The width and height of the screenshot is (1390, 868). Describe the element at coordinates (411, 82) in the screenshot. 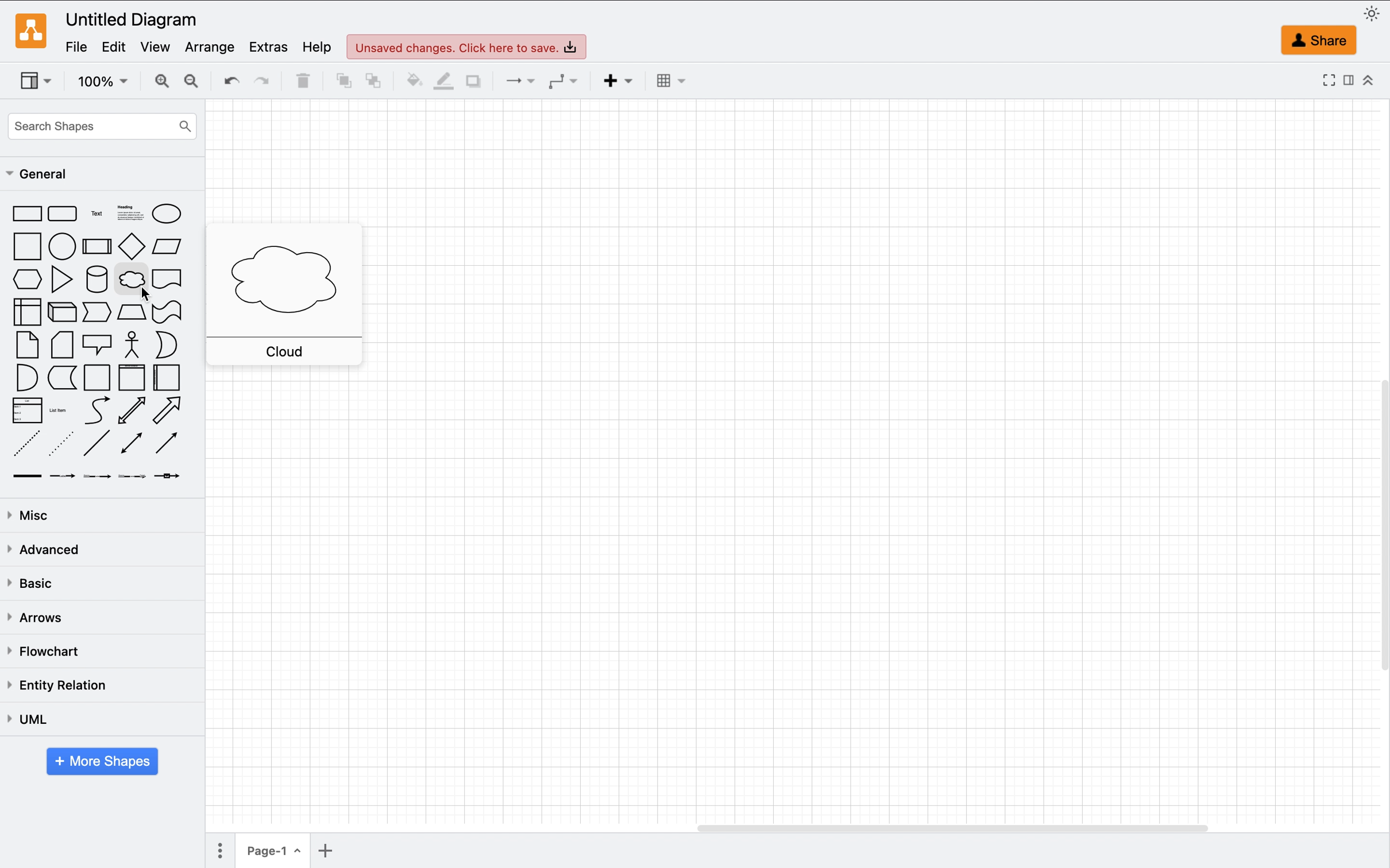

I see `fill color` at that location.